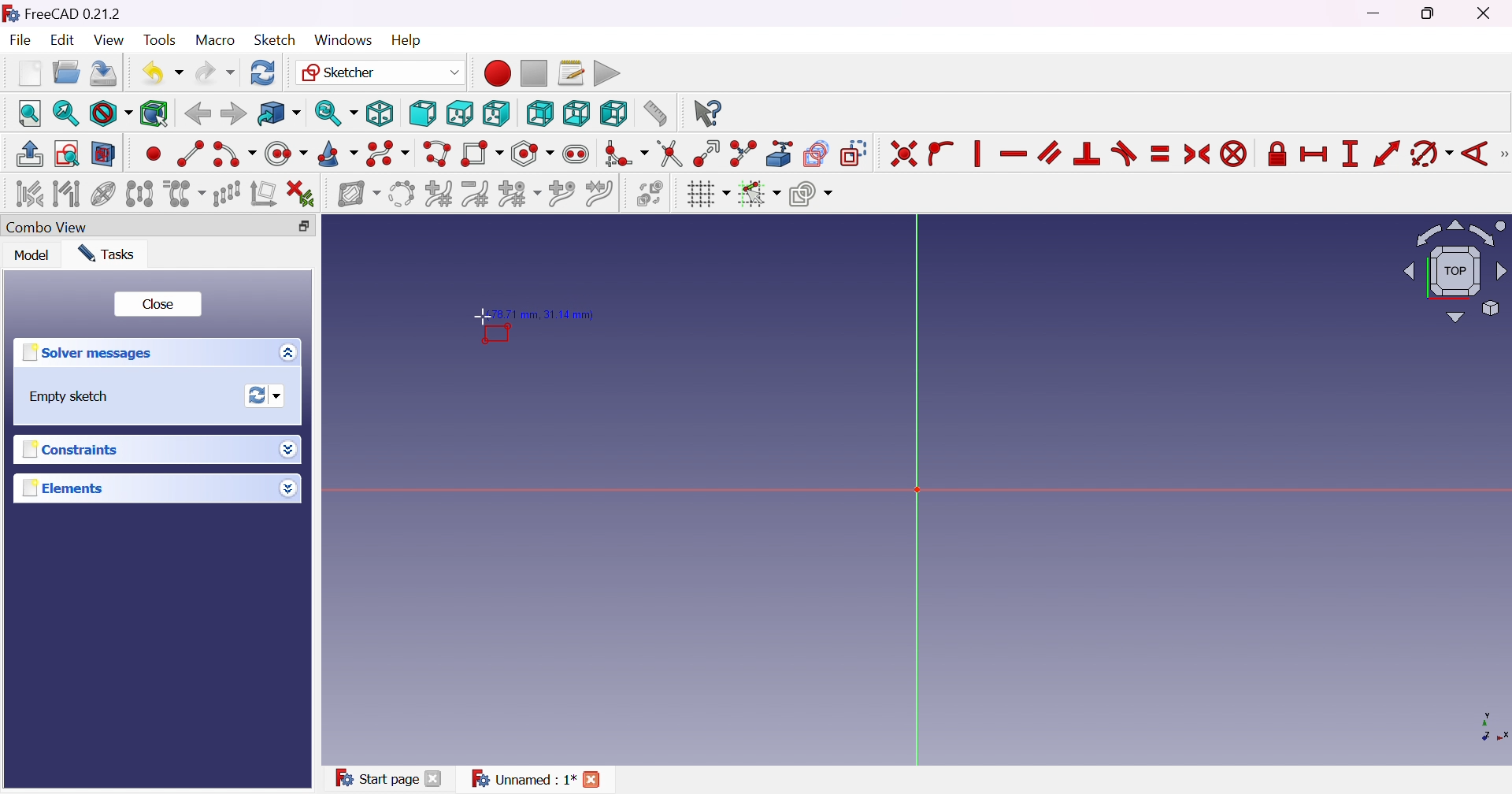 The image size is (1512, 794). What do you see at coordinates (66, 113) in the screenshot?
I see `Fit selection...` at bounding box center [66, 113].